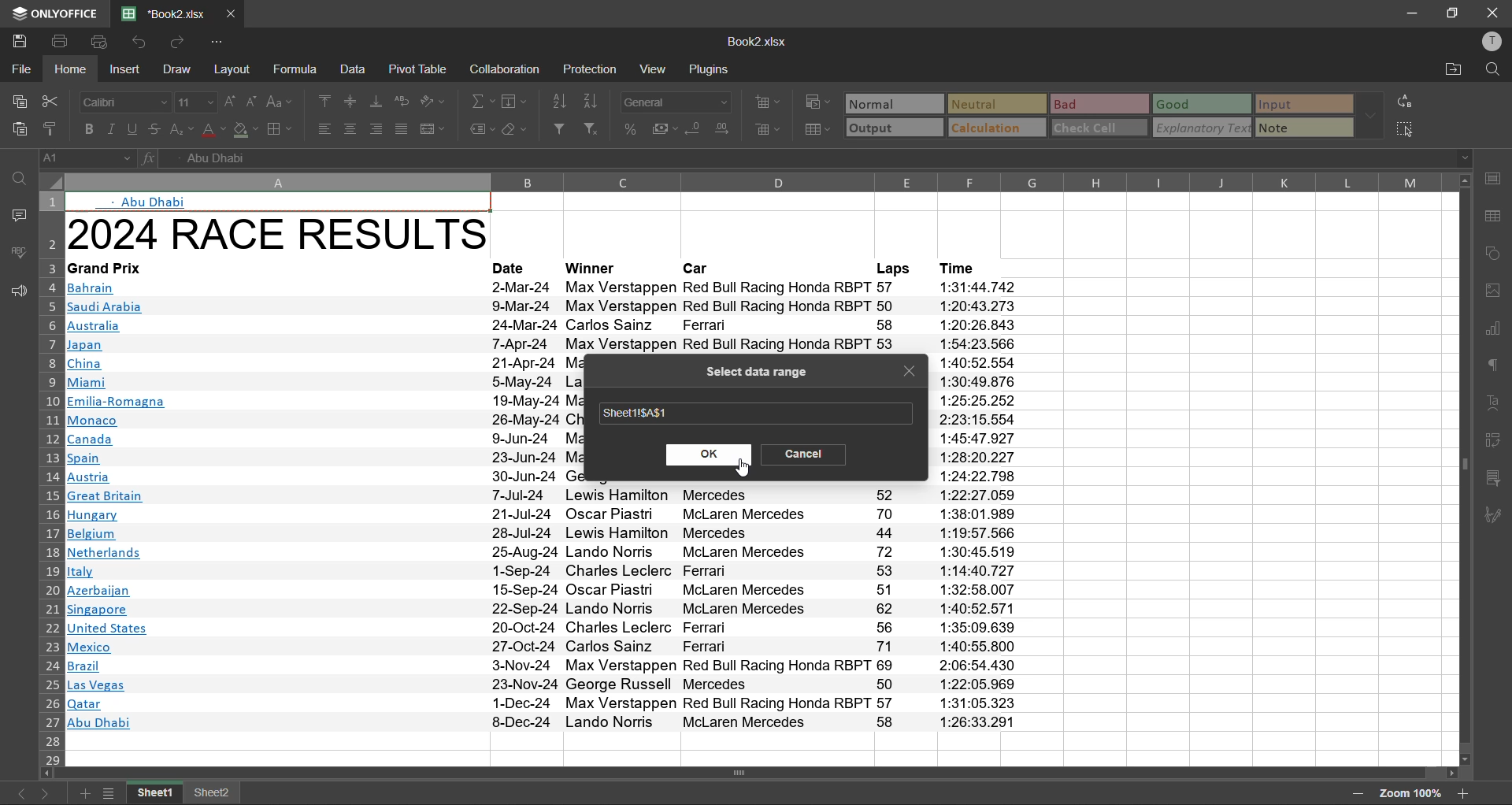  I want to click on accounting, so click(663, 129).